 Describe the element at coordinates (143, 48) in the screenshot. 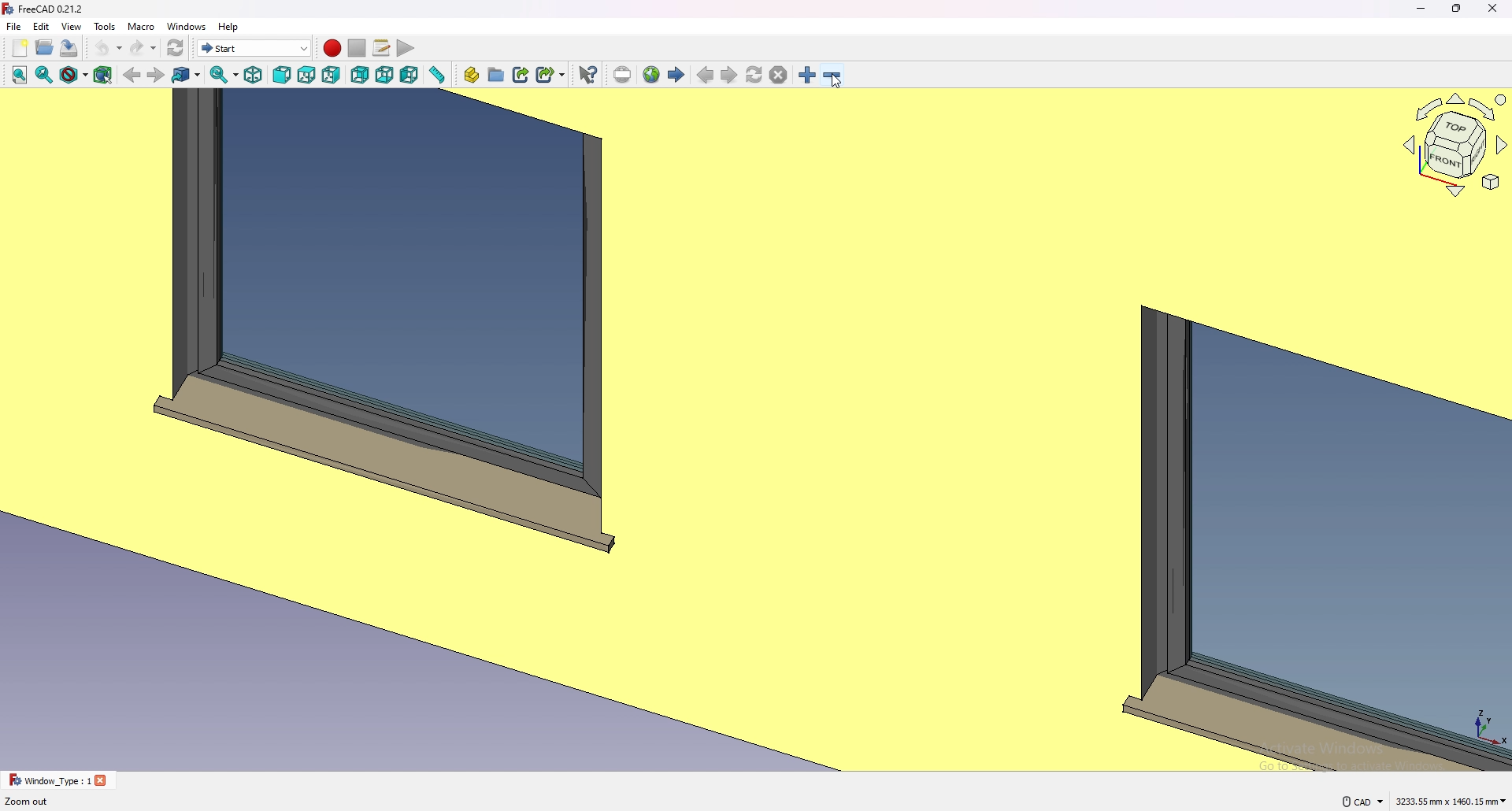

I see `redo` at that location.